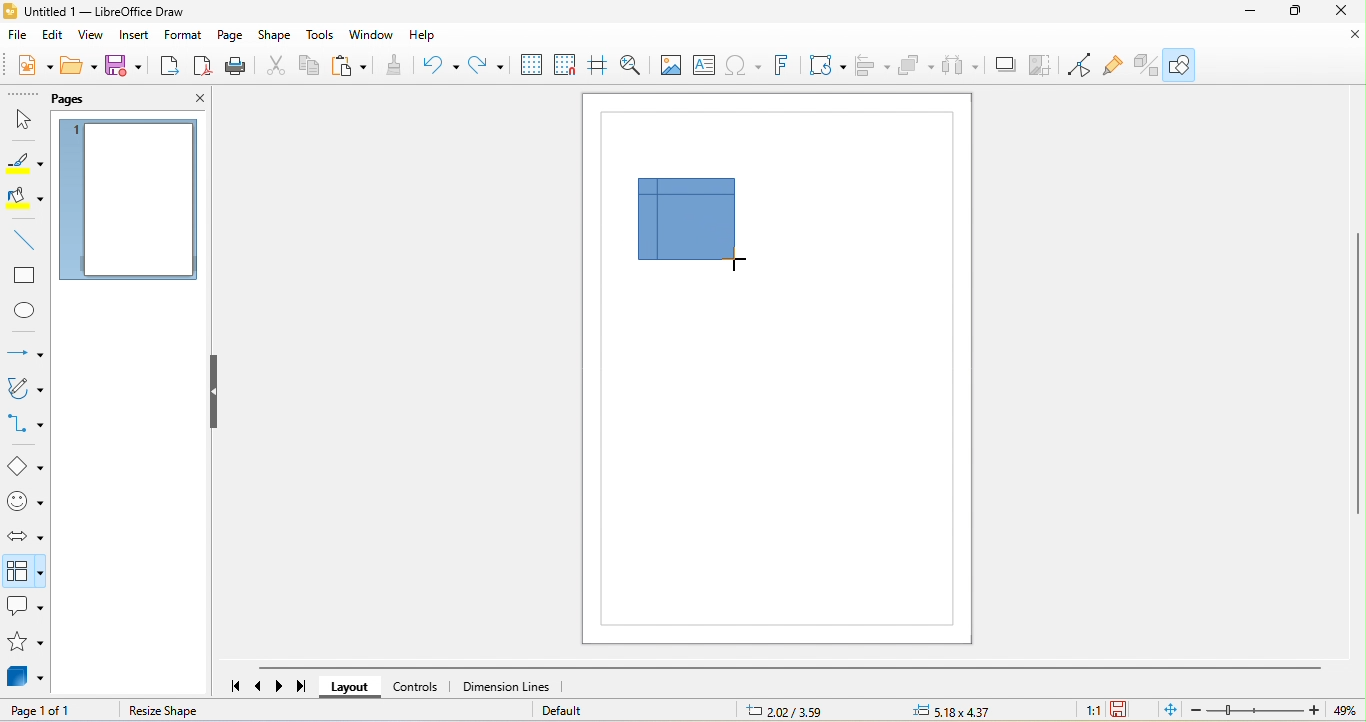 This screenshot has width=1366, height=722. Describe the element at coordinates (26, 607) in the screenshot. I see `callout shape` at that location.